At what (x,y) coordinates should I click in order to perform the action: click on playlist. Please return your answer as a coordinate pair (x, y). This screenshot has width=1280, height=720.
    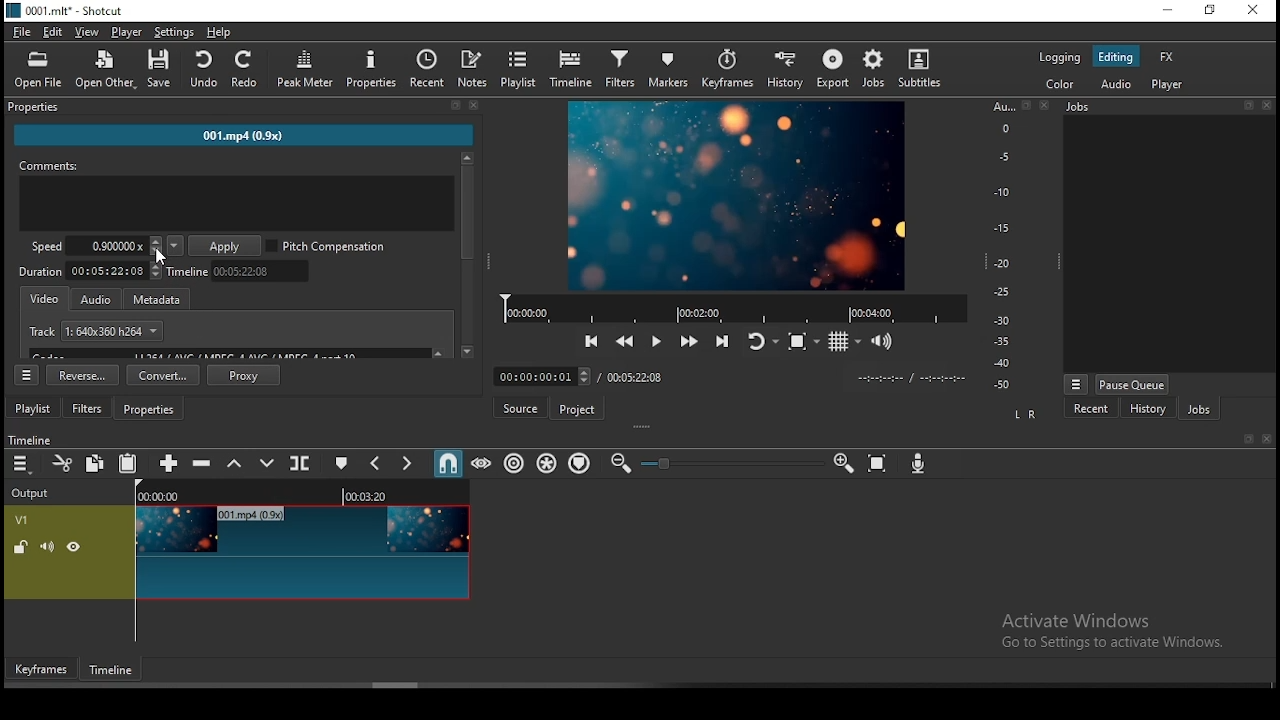
    Looking at the image, I should click on (34, 407).